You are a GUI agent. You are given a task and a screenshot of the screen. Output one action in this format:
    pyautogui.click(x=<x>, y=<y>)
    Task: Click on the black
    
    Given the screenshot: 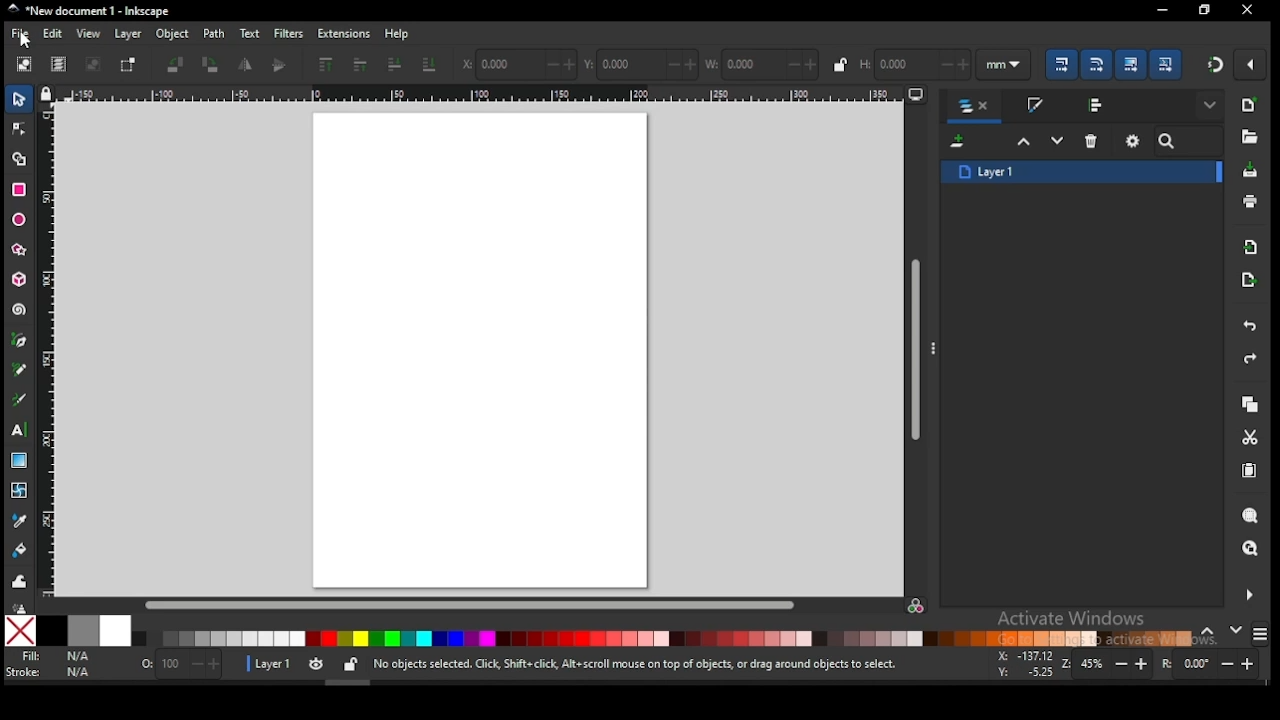 What is the action you would take?
    pyautogui.click(x=52, y=631)
    